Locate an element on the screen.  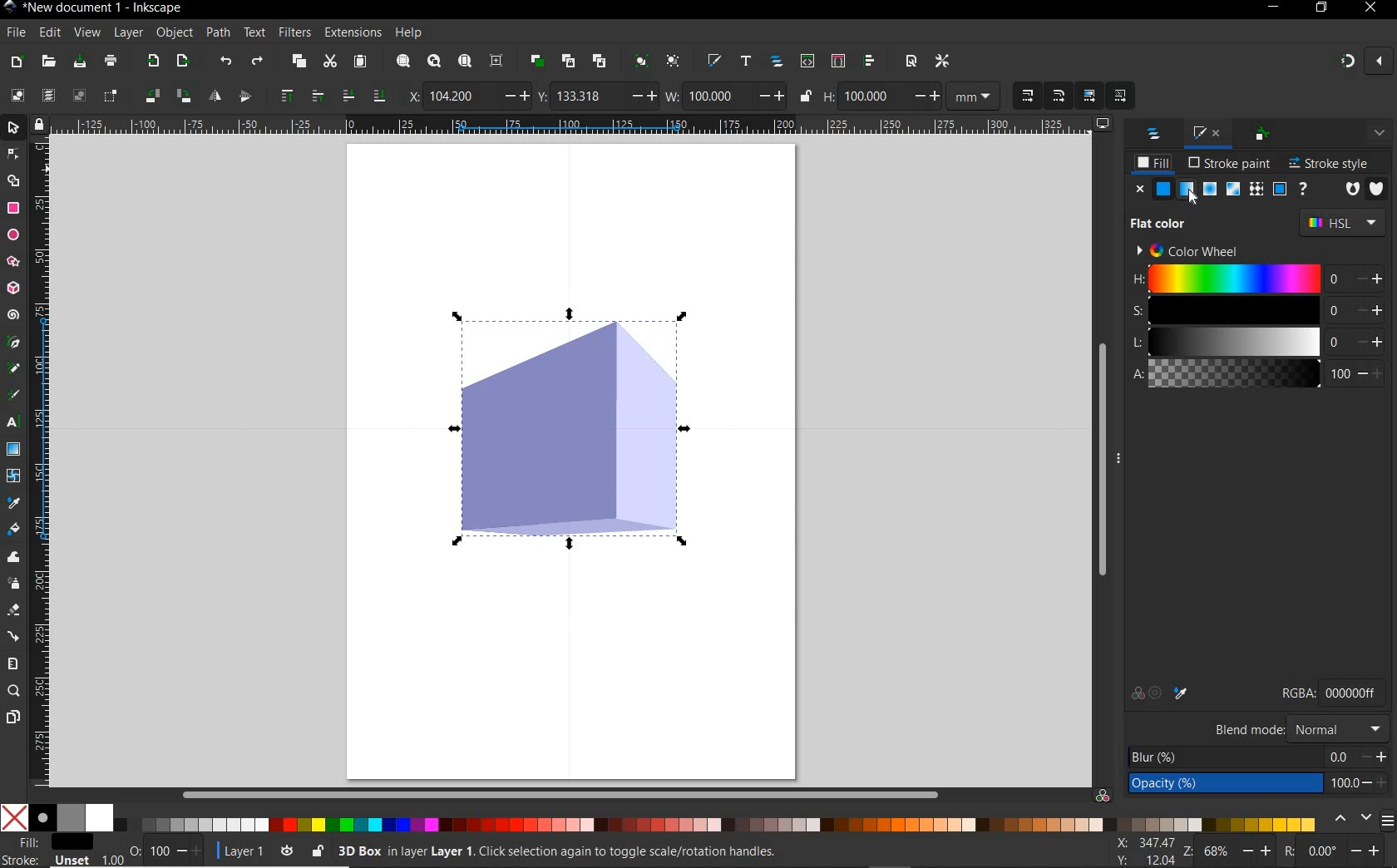
cursor is located at coordinates (1197, 196).